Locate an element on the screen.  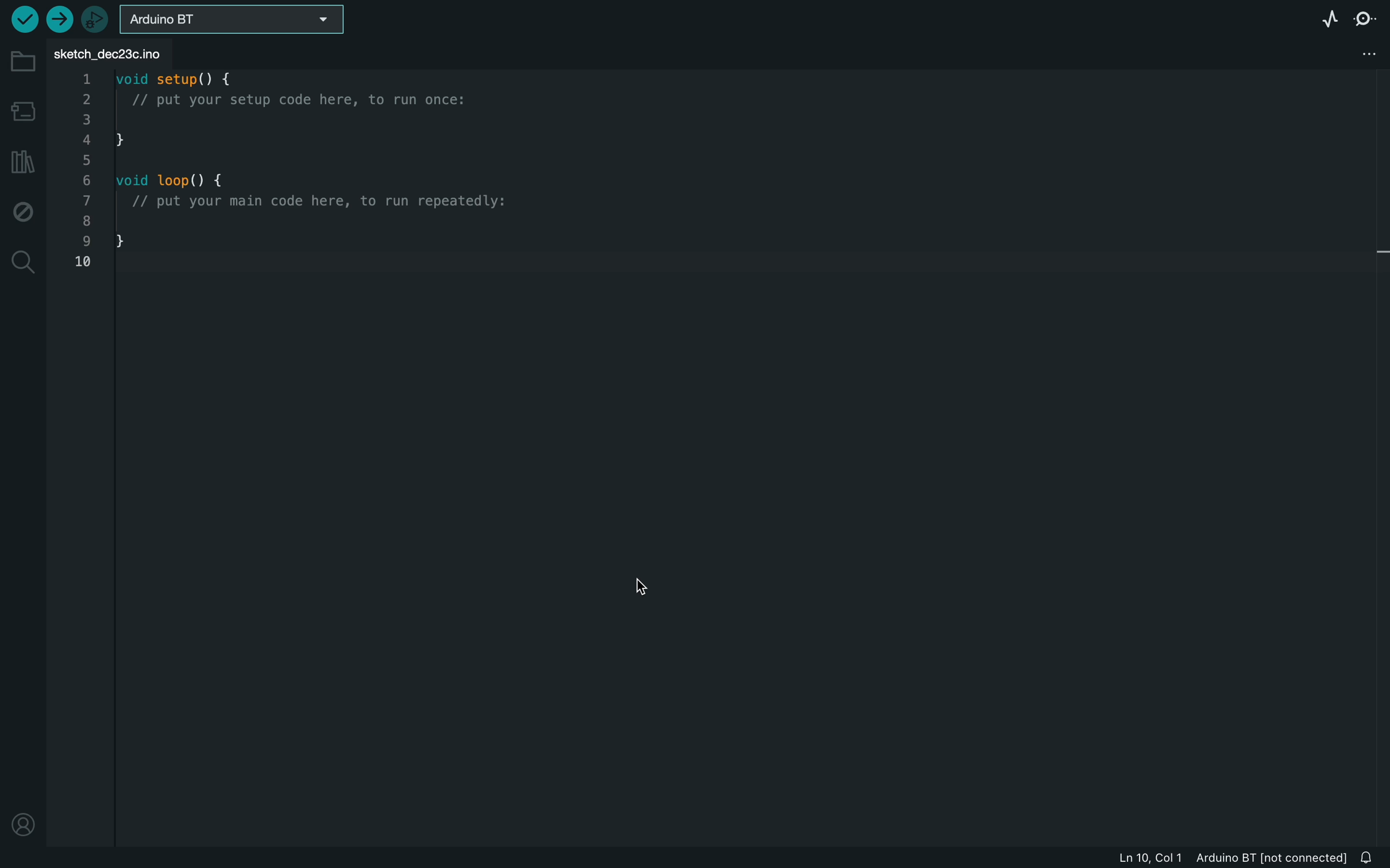
library manager is located at coordinates (23, 162).